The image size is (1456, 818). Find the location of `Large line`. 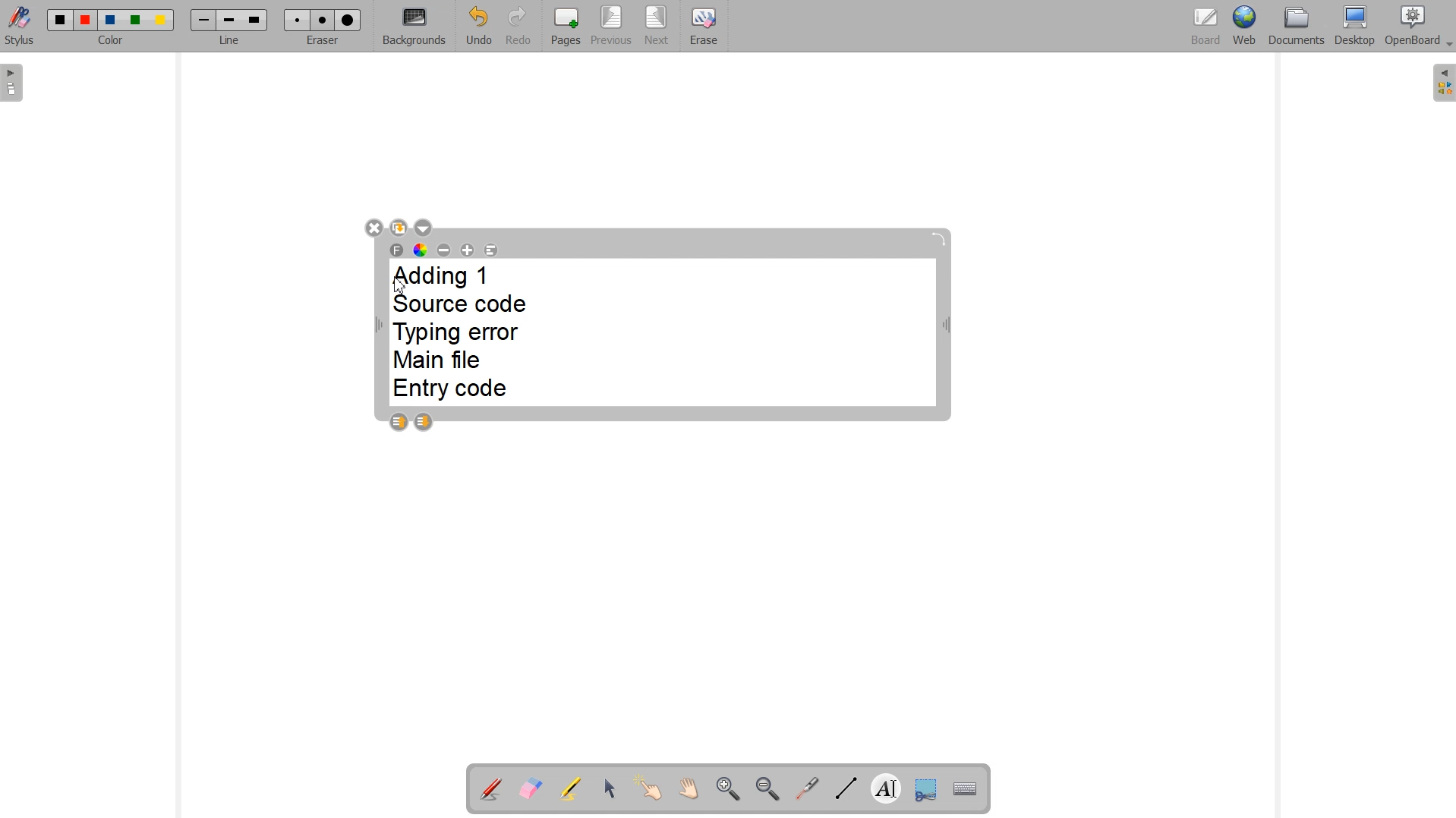

Large line is located at coordinates (256, 20).